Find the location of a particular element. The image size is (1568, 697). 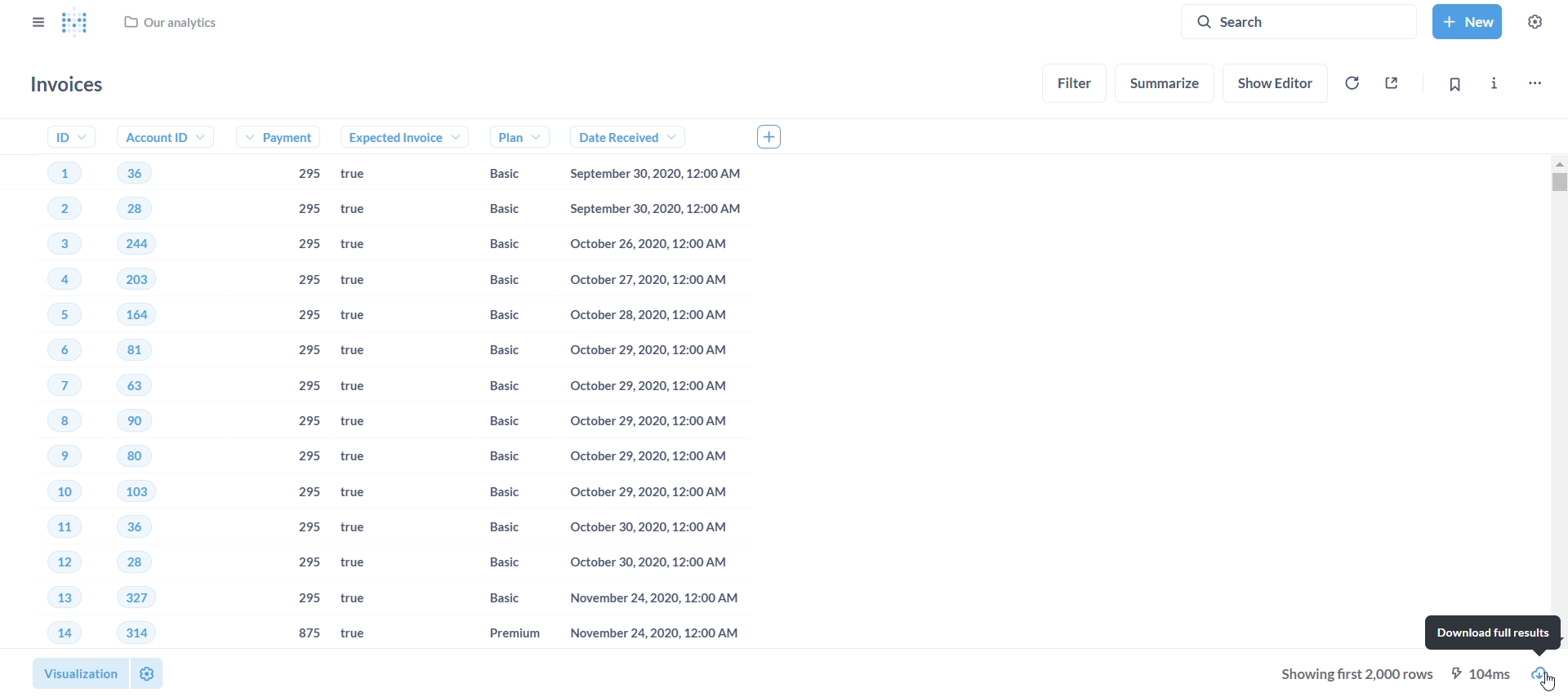

12 is located at coordinates (45, 562).